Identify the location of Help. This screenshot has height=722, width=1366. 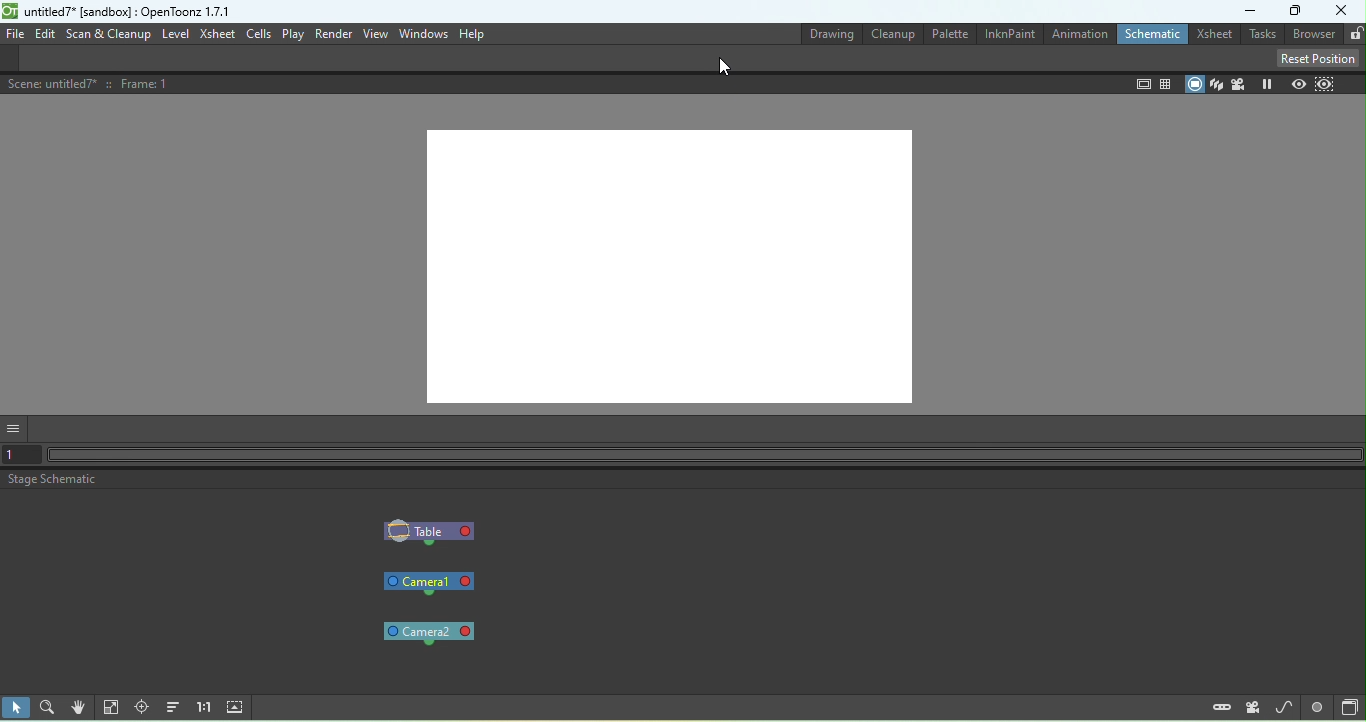
(474, 34).